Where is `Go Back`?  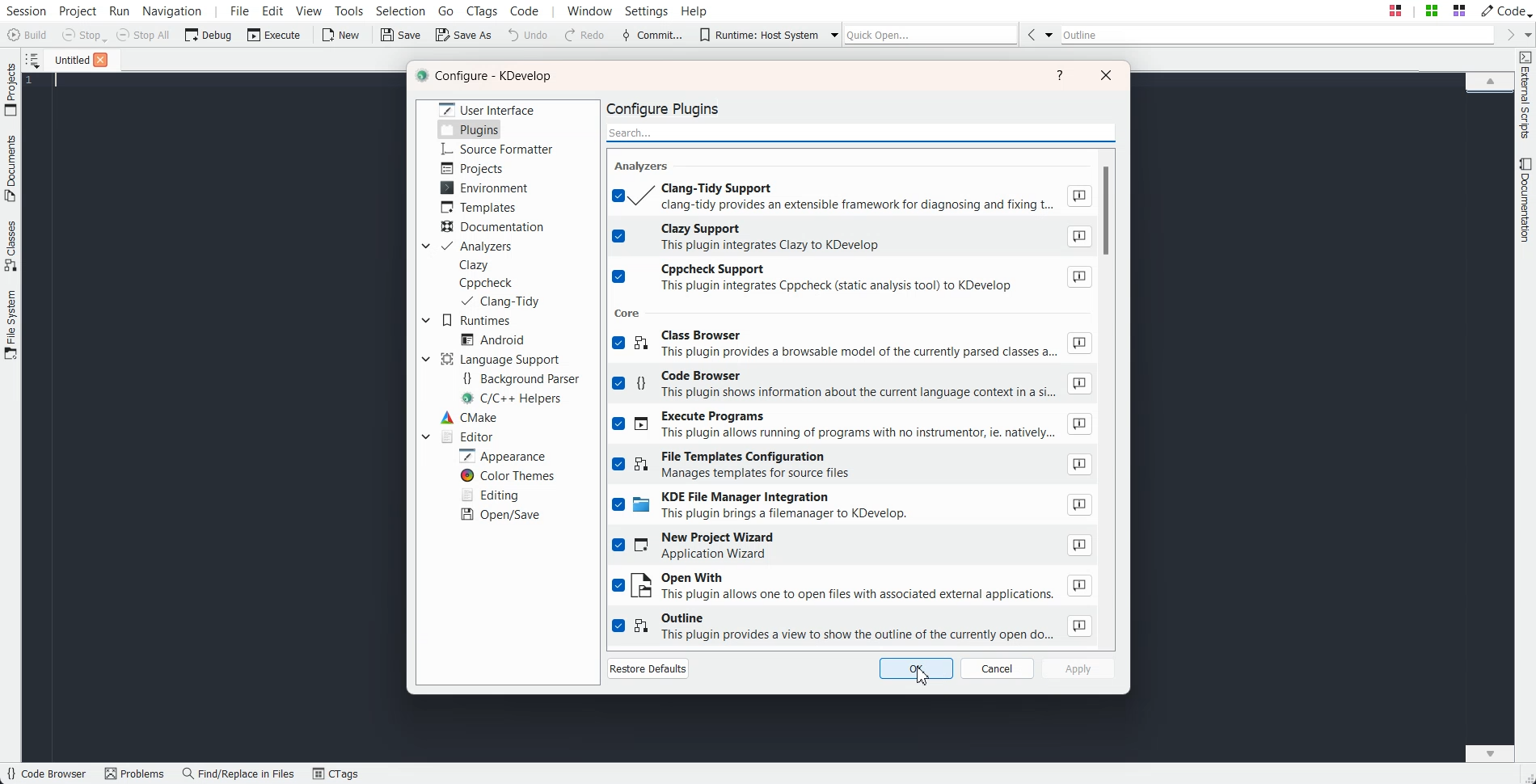 Go Back is located at coordinates (1031, 34).